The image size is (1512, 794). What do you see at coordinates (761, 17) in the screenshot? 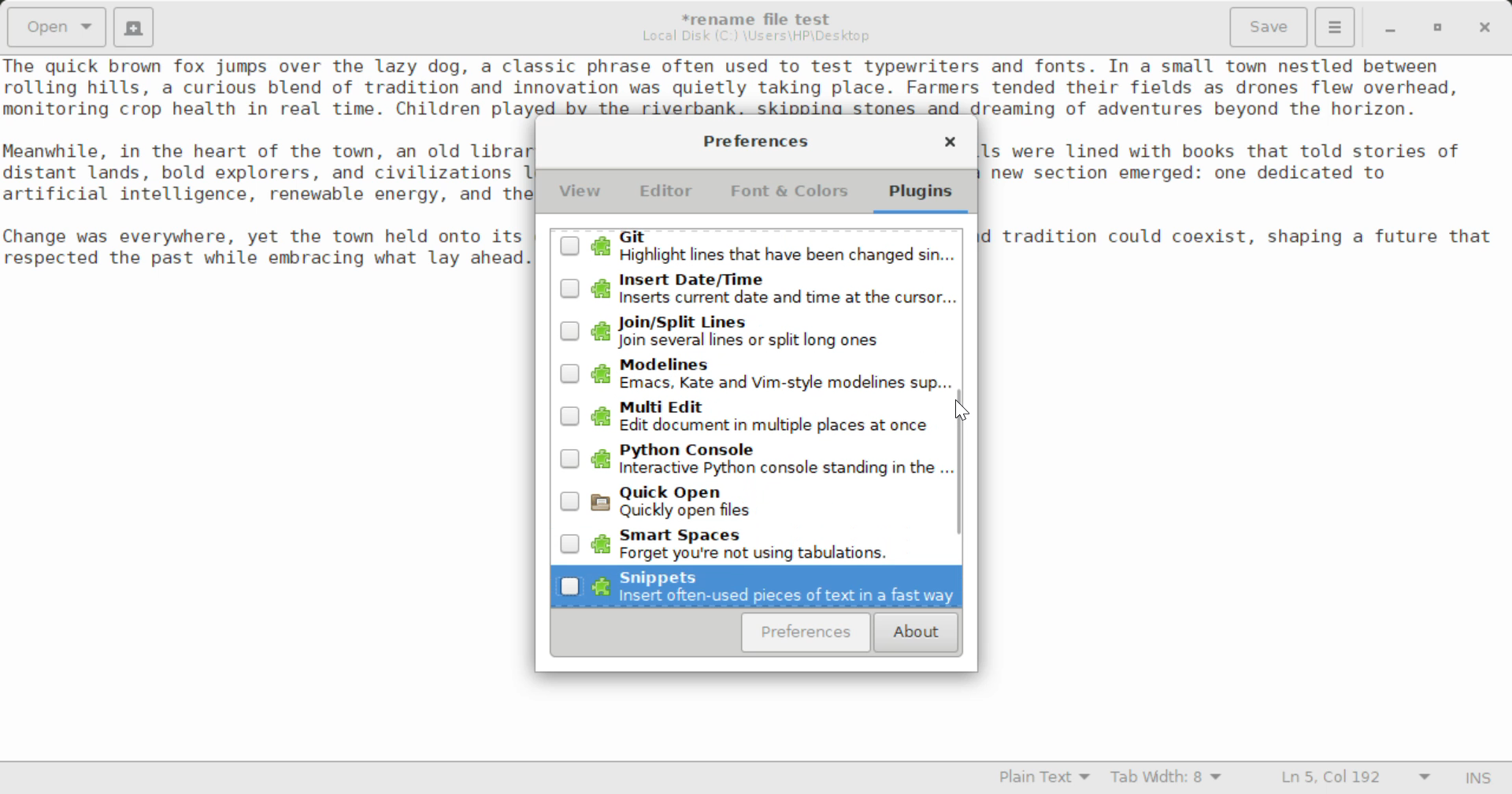
I see `File Name ` at bounding box center [761, 17].